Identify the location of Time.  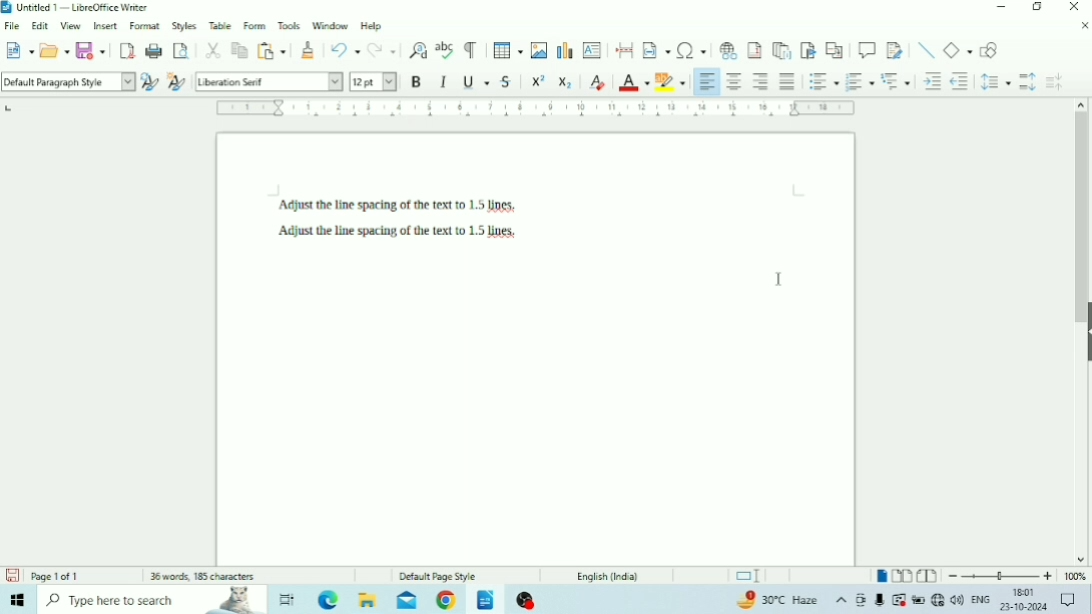
(1023, 591).